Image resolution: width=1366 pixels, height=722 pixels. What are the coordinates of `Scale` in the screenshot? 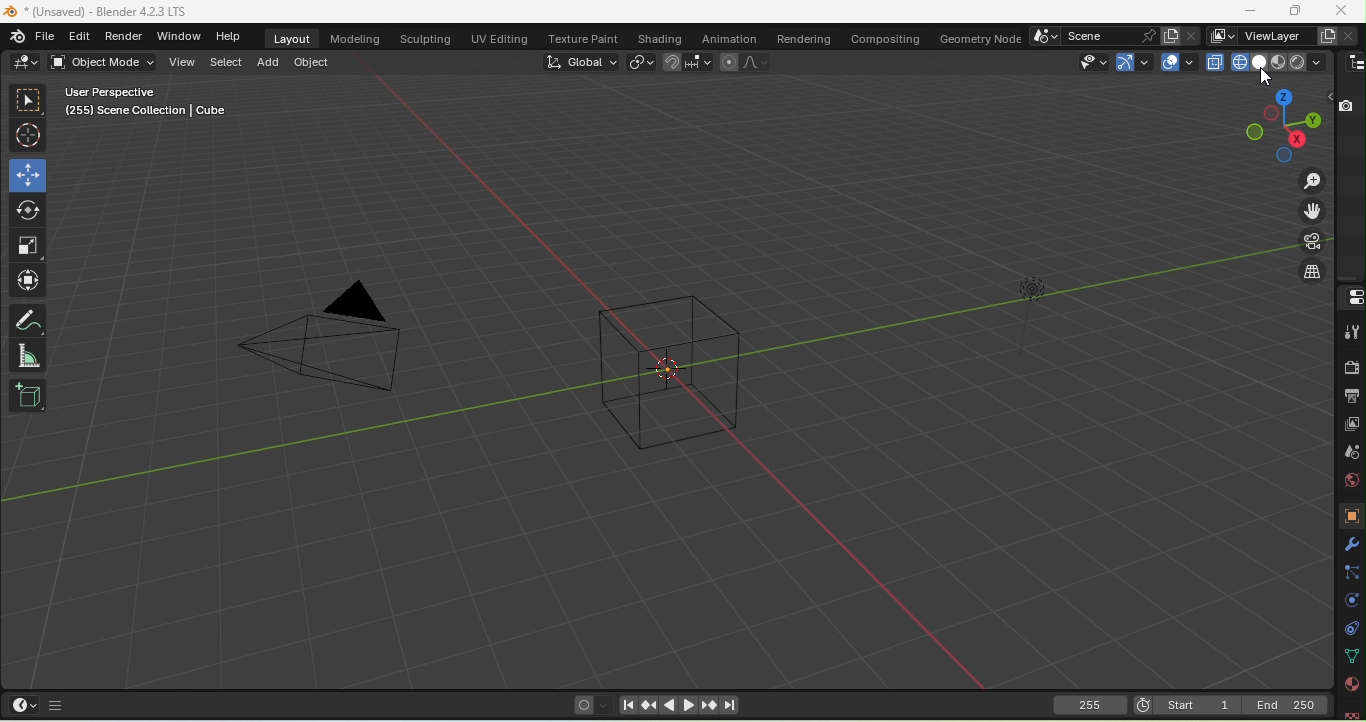 It's located at (29, 245).